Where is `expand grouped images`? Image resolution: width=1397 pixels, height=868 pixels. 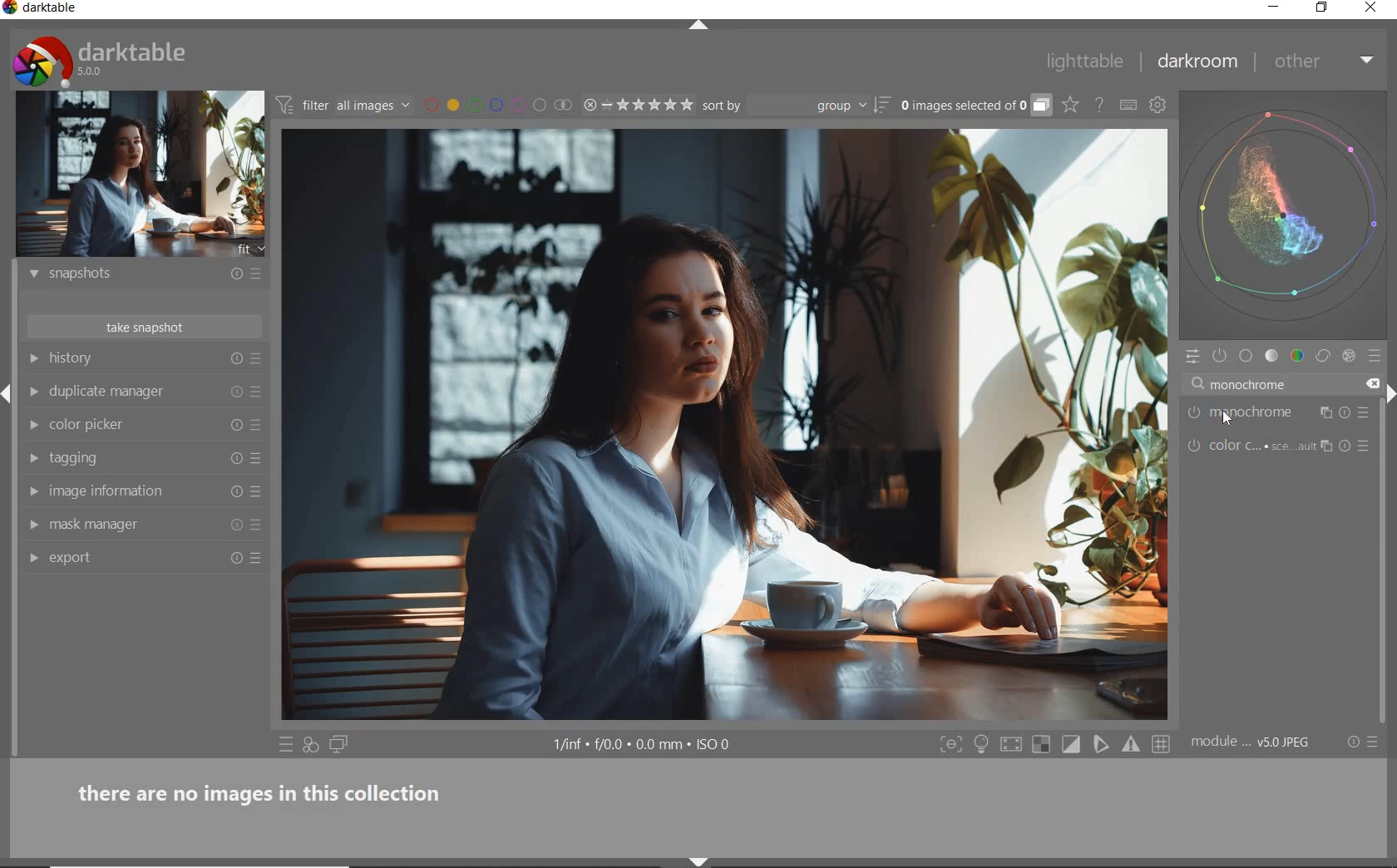
expand grouped images is located at coordinates (975, 106).